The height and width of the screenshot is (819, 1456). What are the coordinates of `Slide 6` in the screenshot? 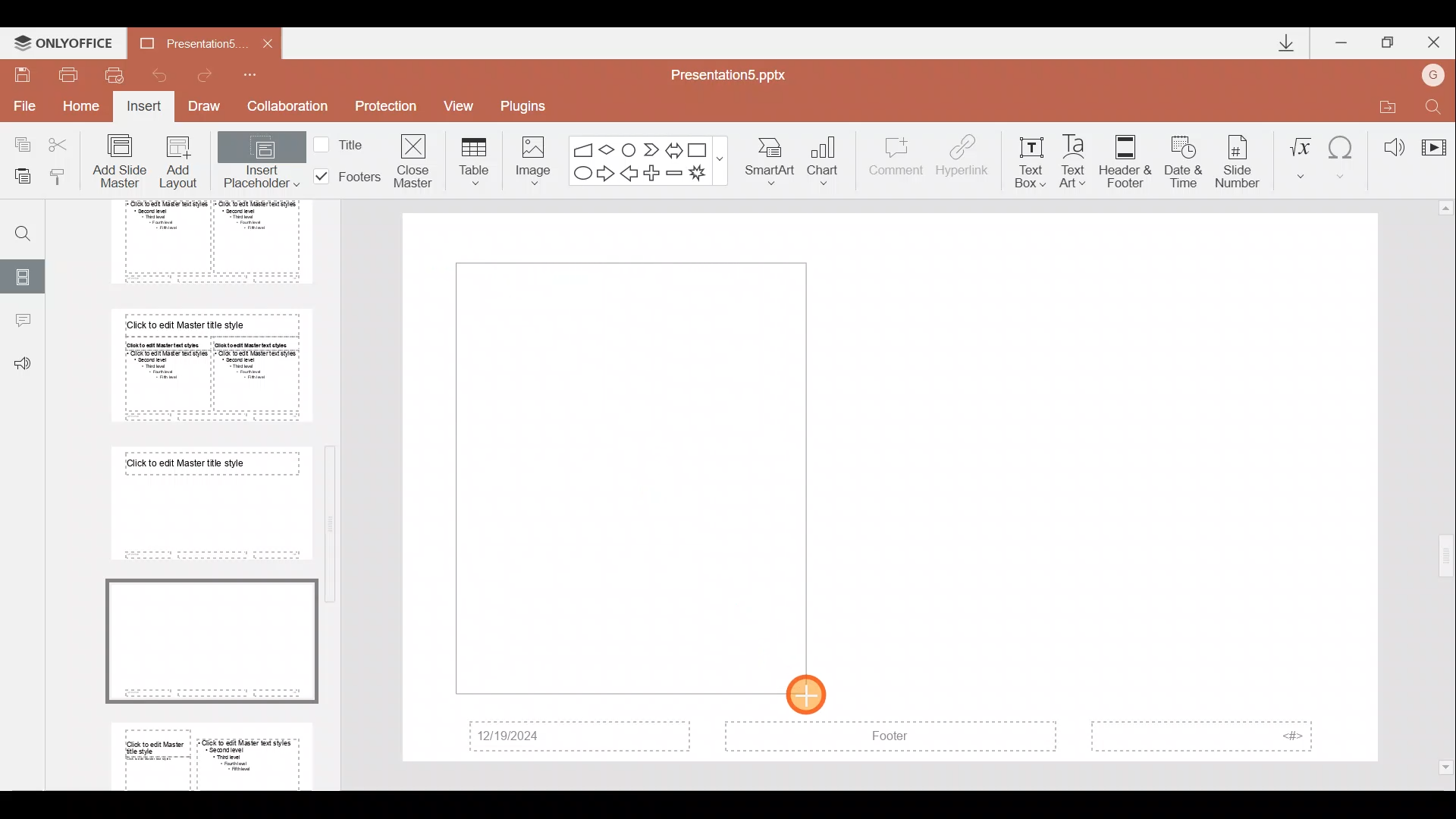 It's located at (206, 365).